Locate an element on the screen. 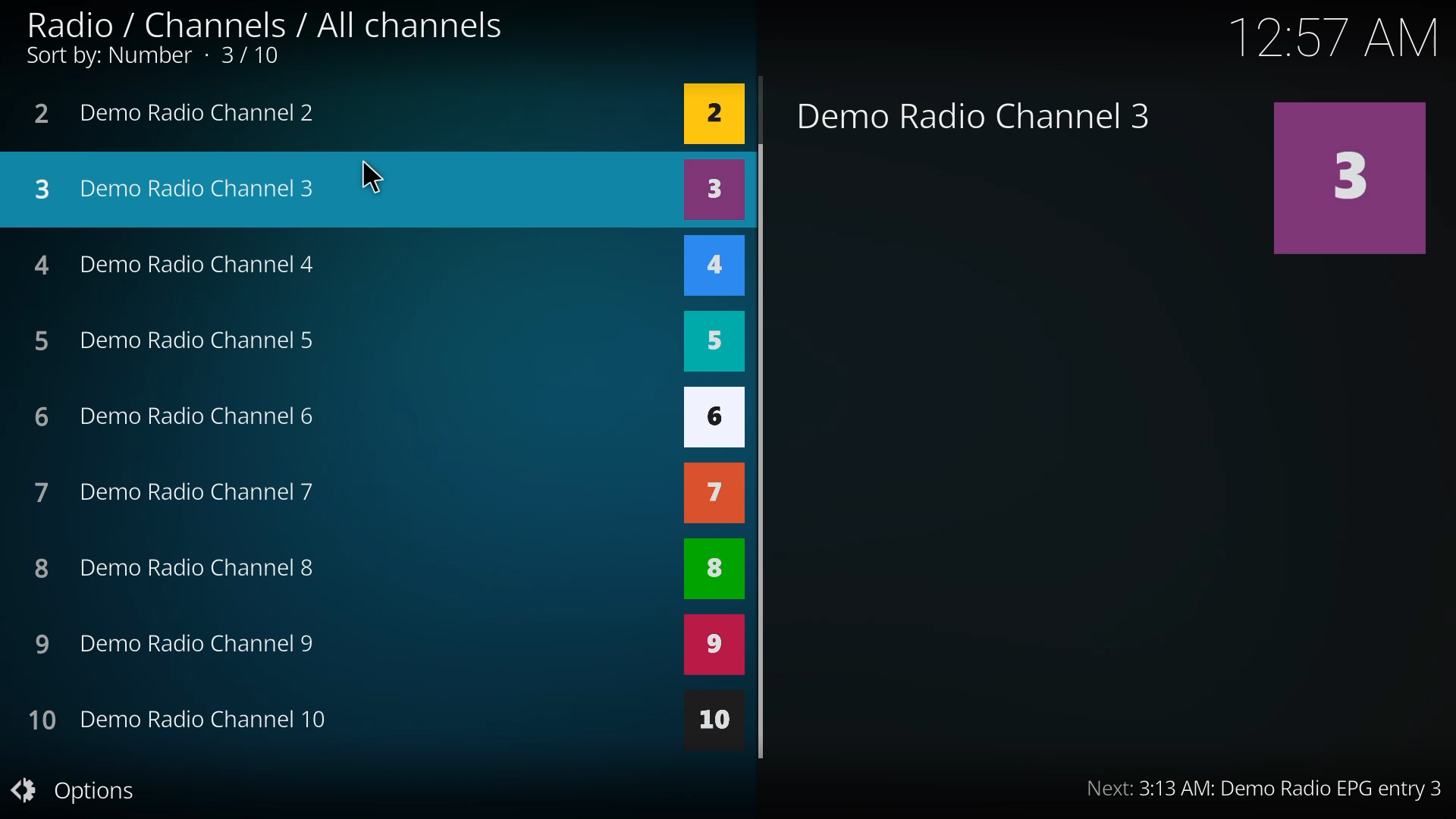 This screenshot has width=1456, height=819. 9 is located at coordinates (711, 646).